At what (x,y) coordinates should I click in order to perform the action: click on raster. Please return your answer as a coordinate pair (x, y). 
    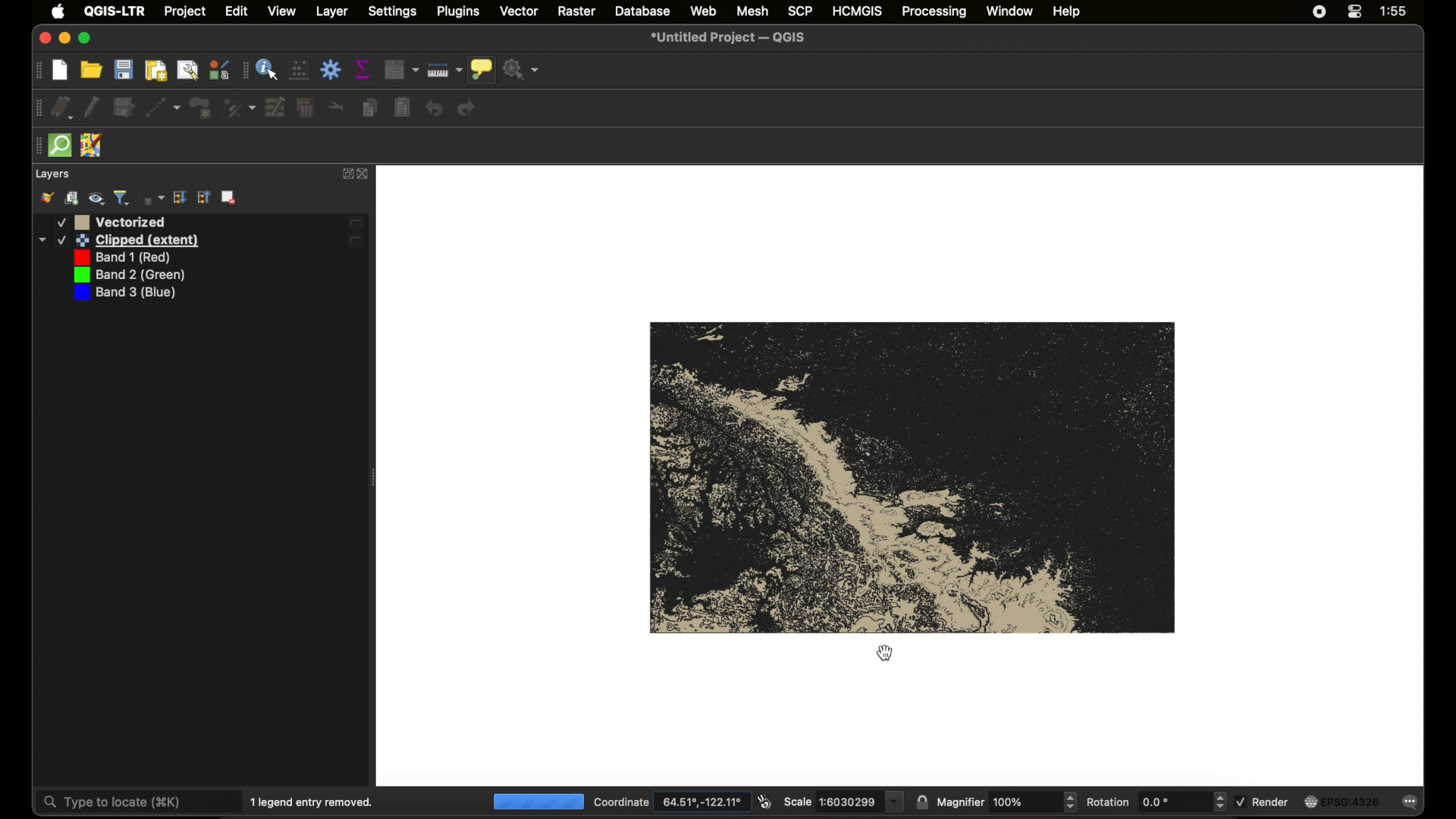
    Looking at the image, I should click on (577, 12).